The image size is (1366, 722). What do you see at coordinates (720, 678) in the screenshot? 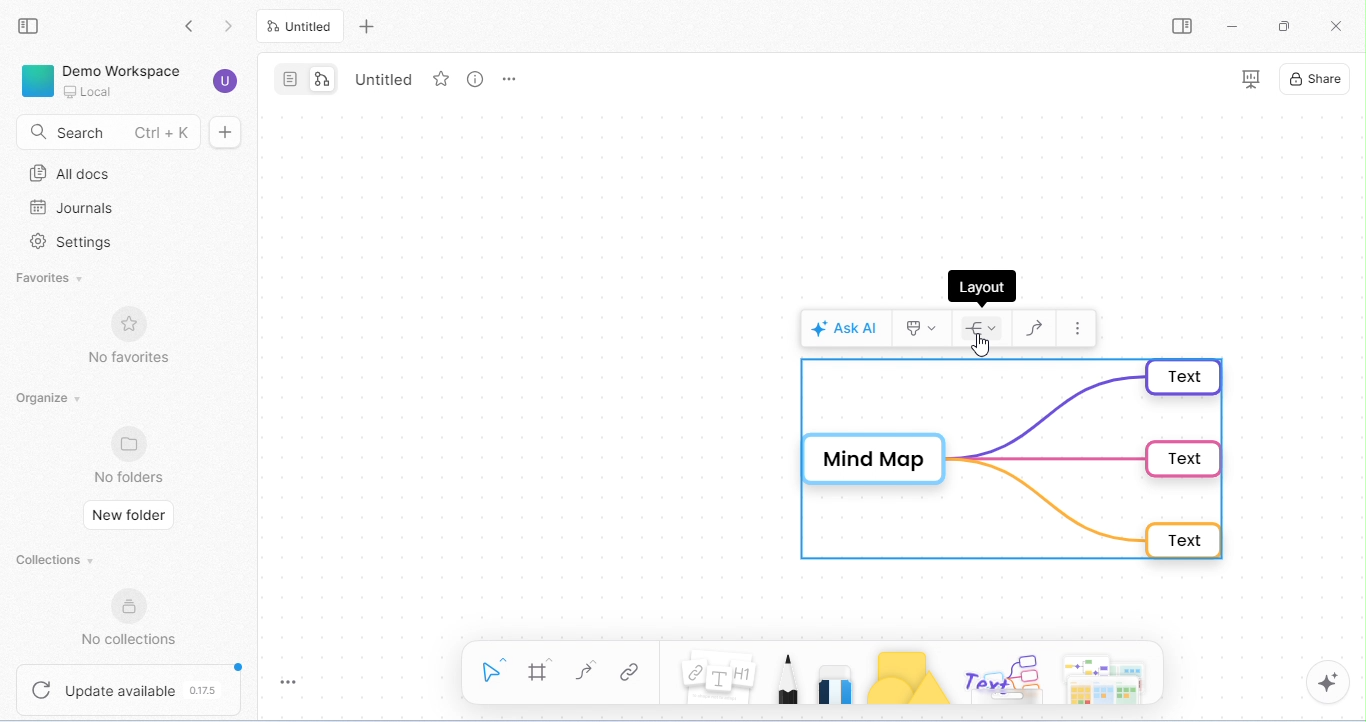
I see `note` at bounding box center [720, 678].